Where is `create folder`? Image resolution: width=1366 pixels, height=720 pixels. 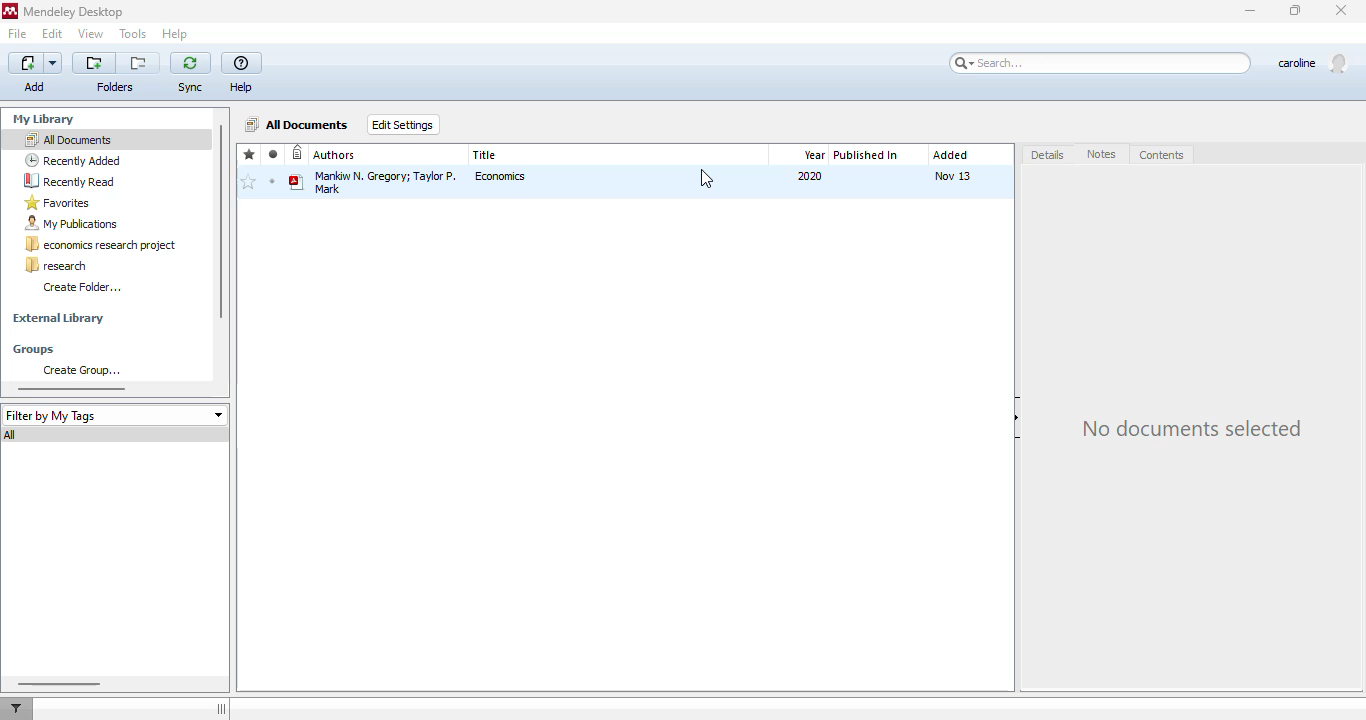
create folder is located at coordinates (82, 286).